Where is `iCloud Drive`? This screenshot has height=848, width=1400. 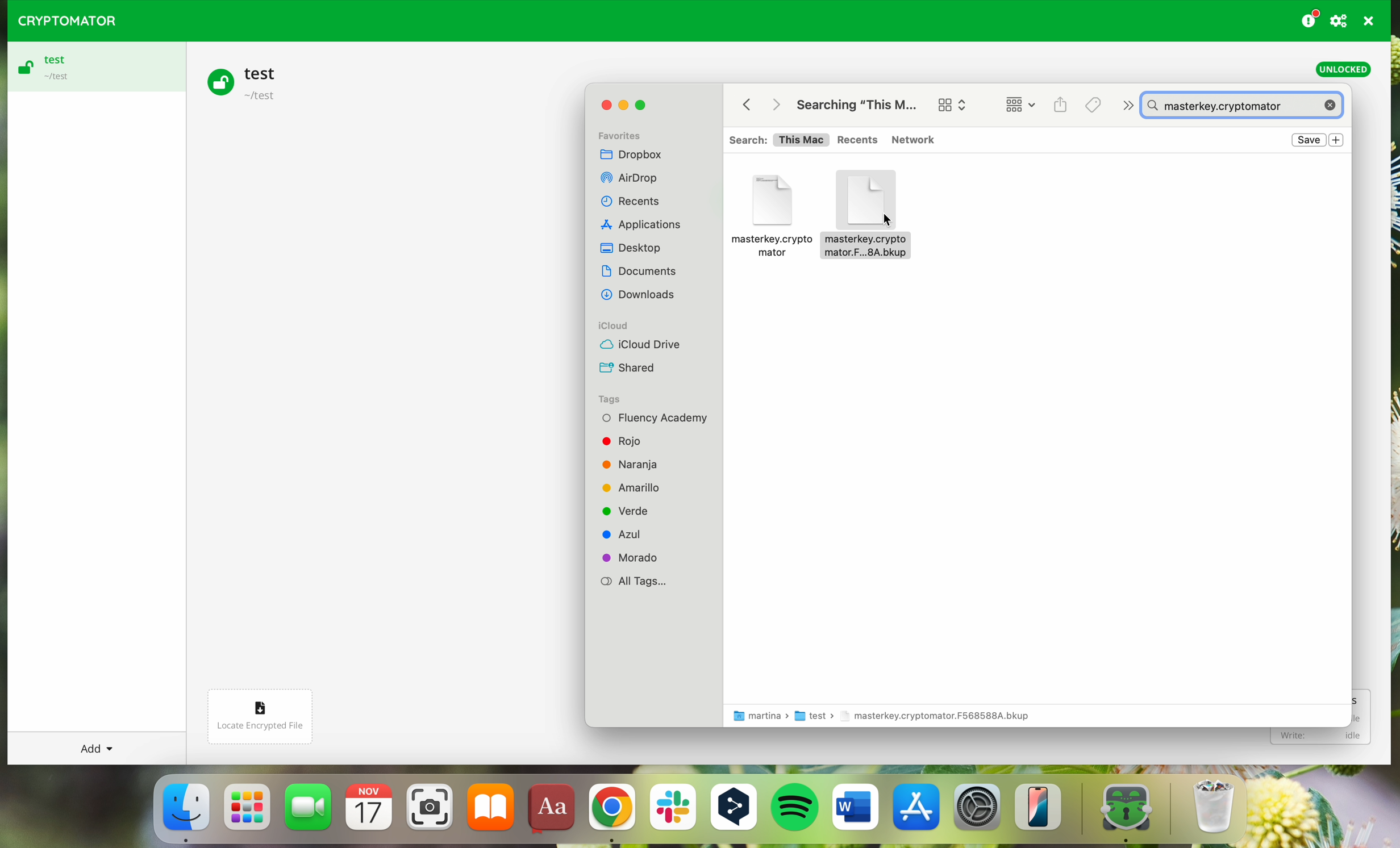
iCloud Drive is located at coordinates (640, 345).